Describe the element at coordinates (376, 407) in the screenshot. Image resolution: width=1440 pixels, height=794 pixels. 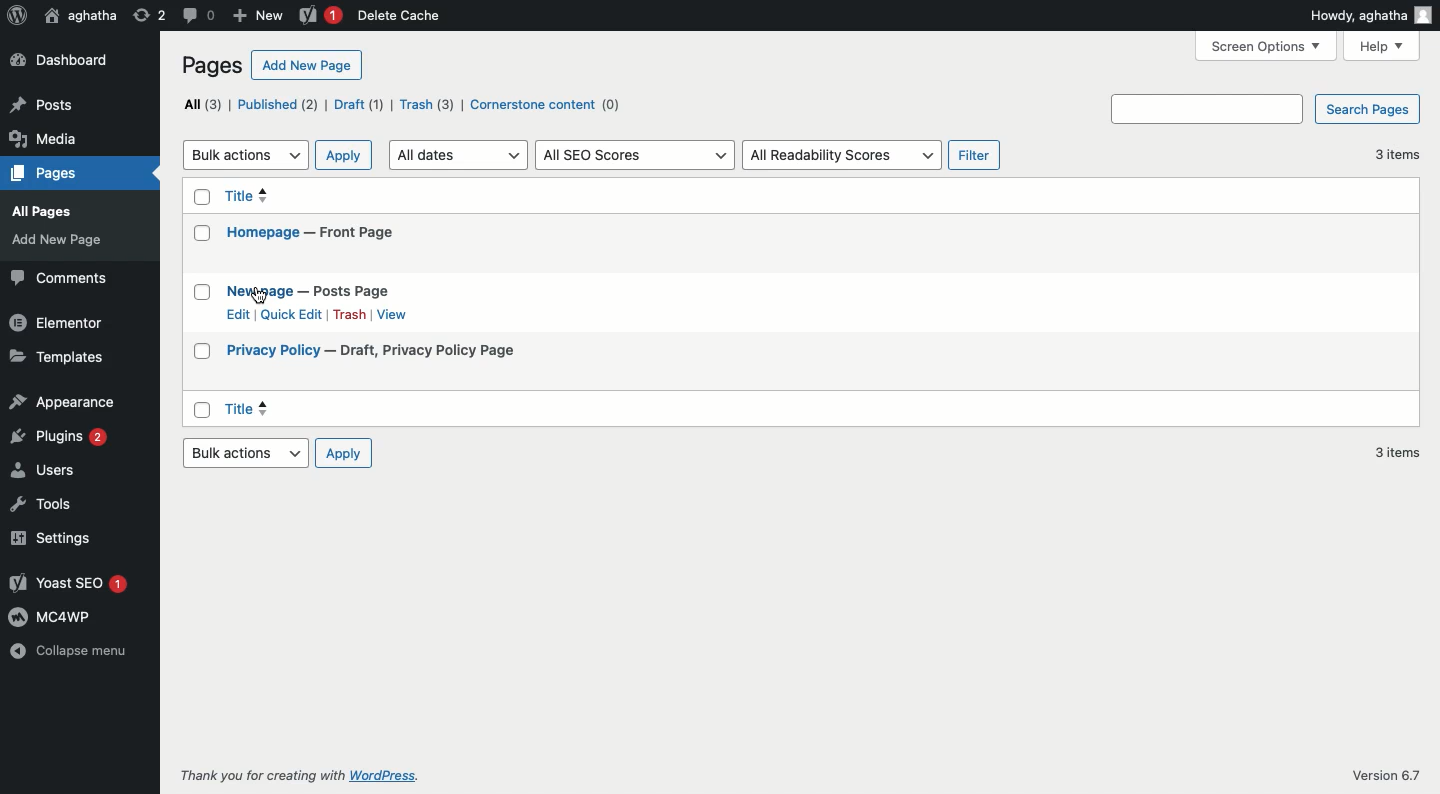
I see `Title` at that location.